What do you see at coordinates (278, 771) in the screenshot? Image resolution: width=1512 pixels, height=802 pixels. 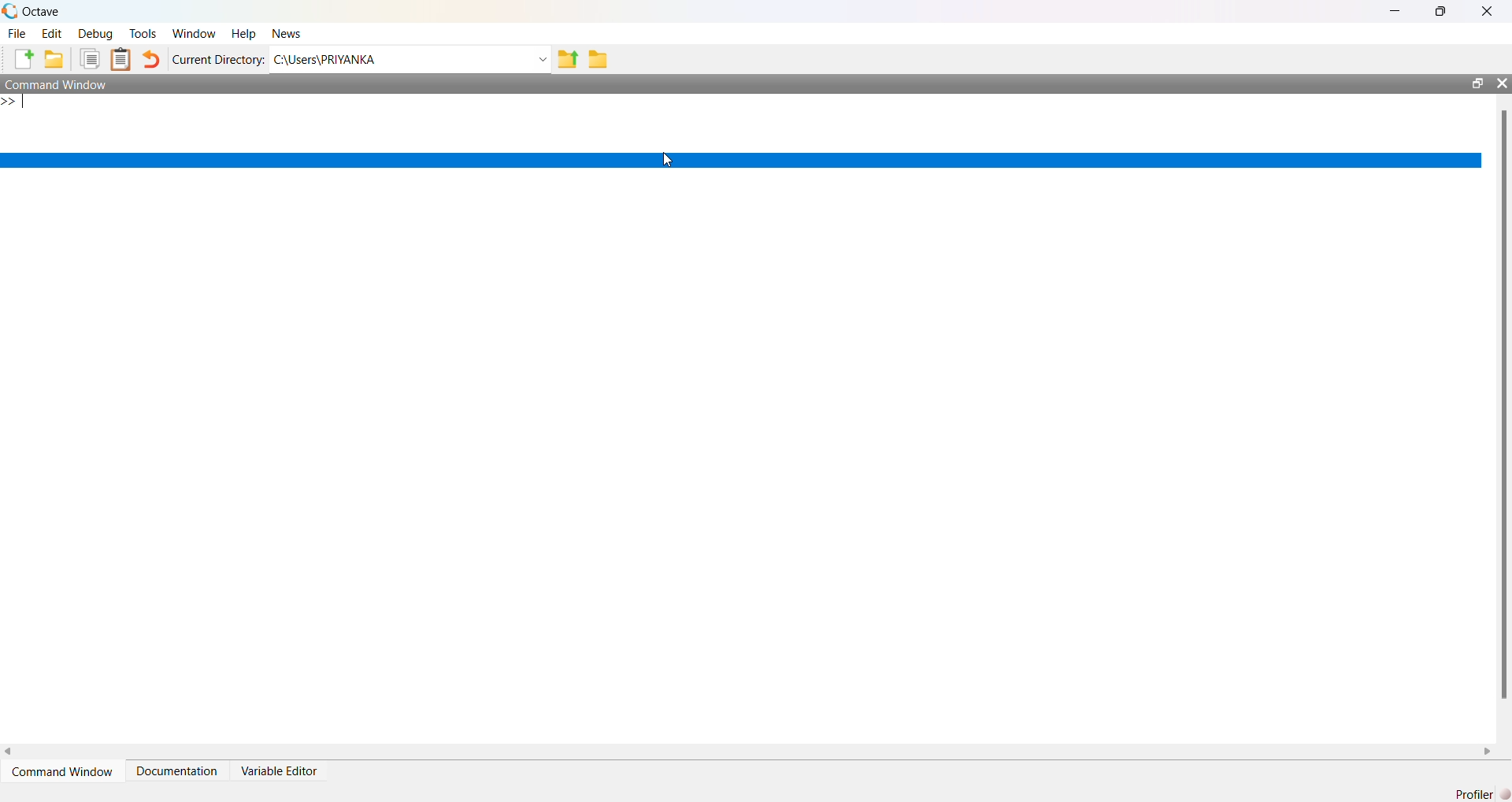 I see `Variable Editor` at bounding box center [278, 771].